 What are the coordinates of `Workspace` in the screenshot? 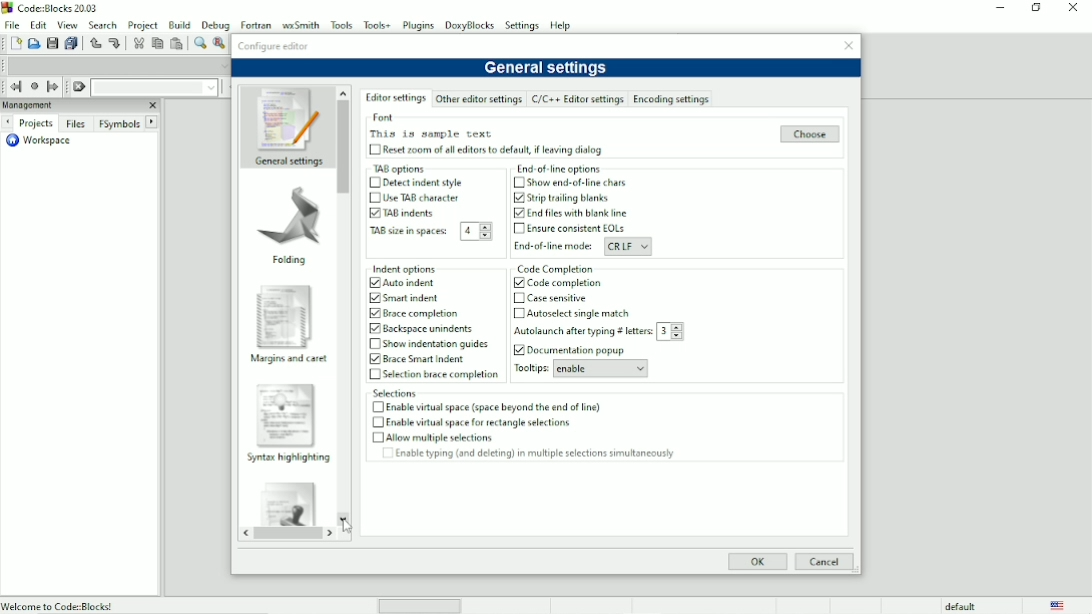 It's located at (43, 142).